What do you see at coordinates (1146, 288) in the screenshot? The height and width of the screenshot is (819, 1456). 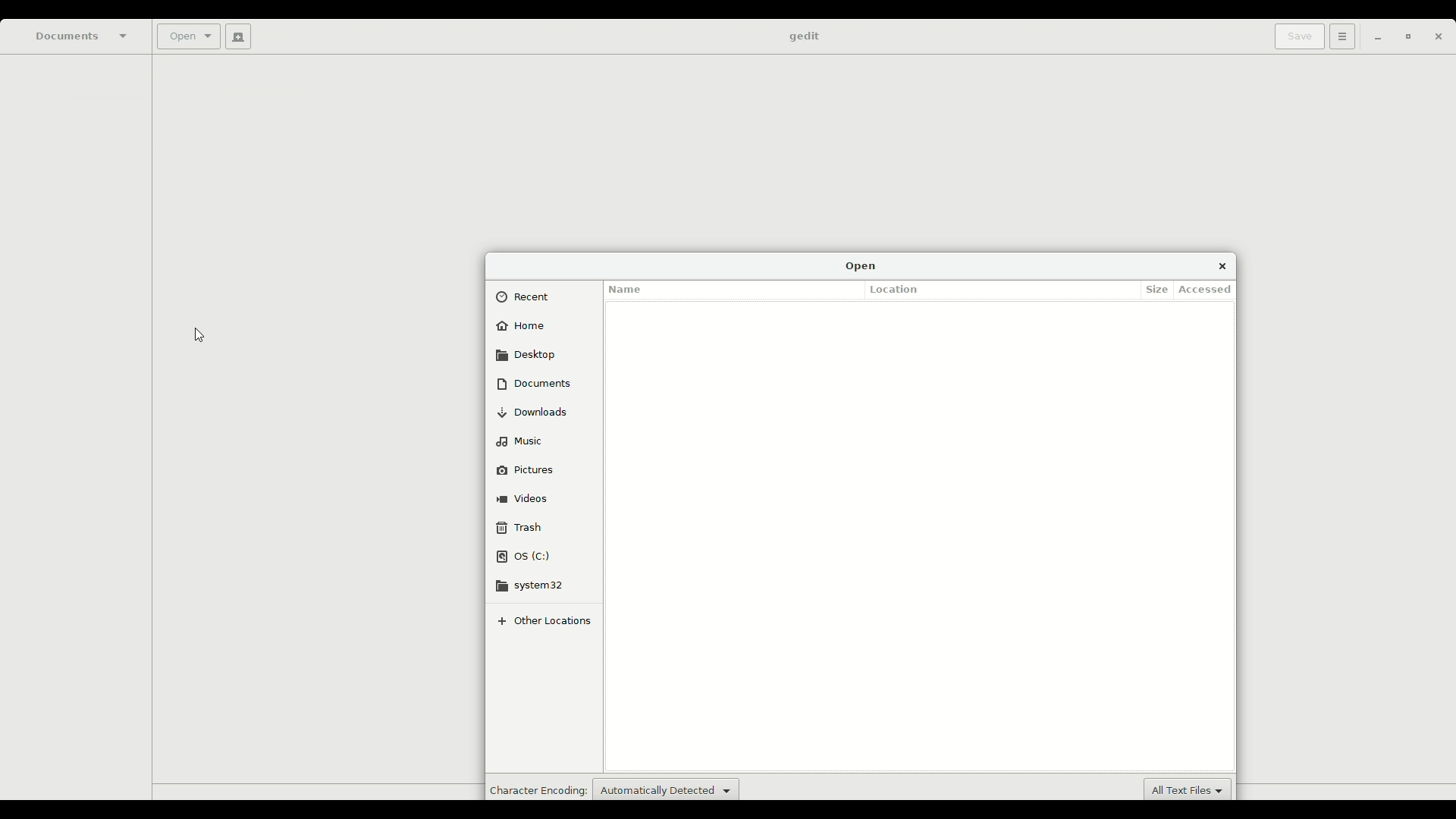 I see `Size` at bounding box center [1146, 288].